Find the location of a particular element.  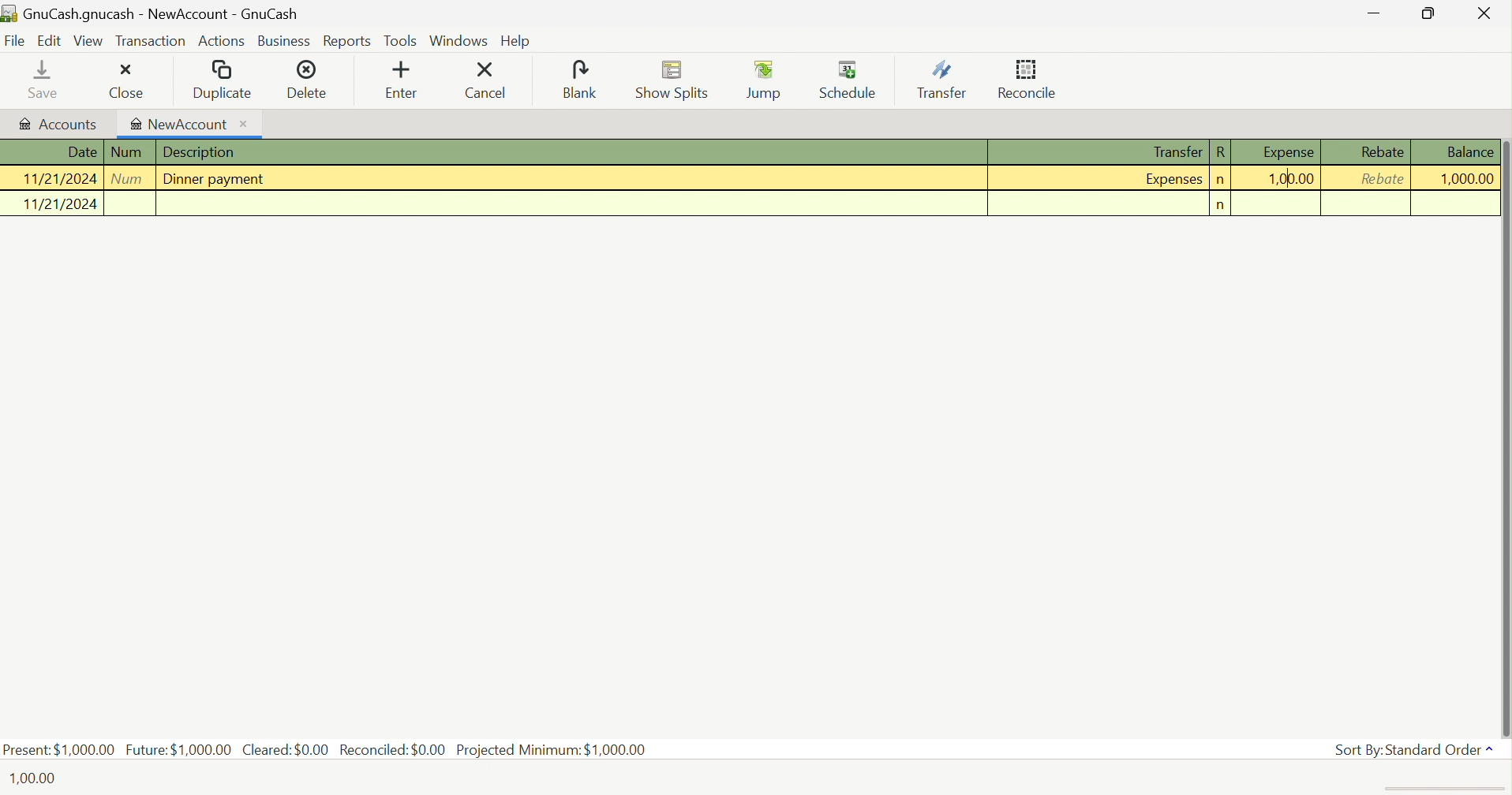

1,000.00 is located at coordinates (1465, 177).